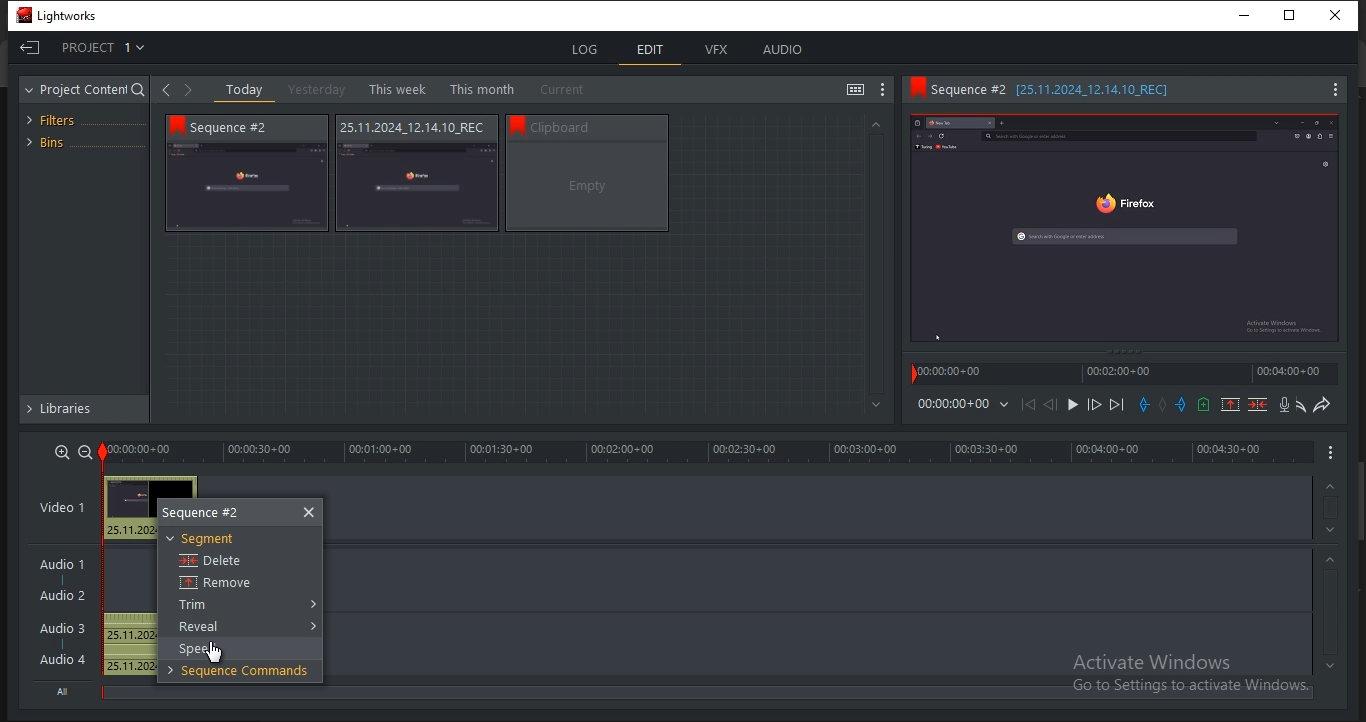 The image size is (1366, 722). I want to click on add a cue, so click(1204, 405).